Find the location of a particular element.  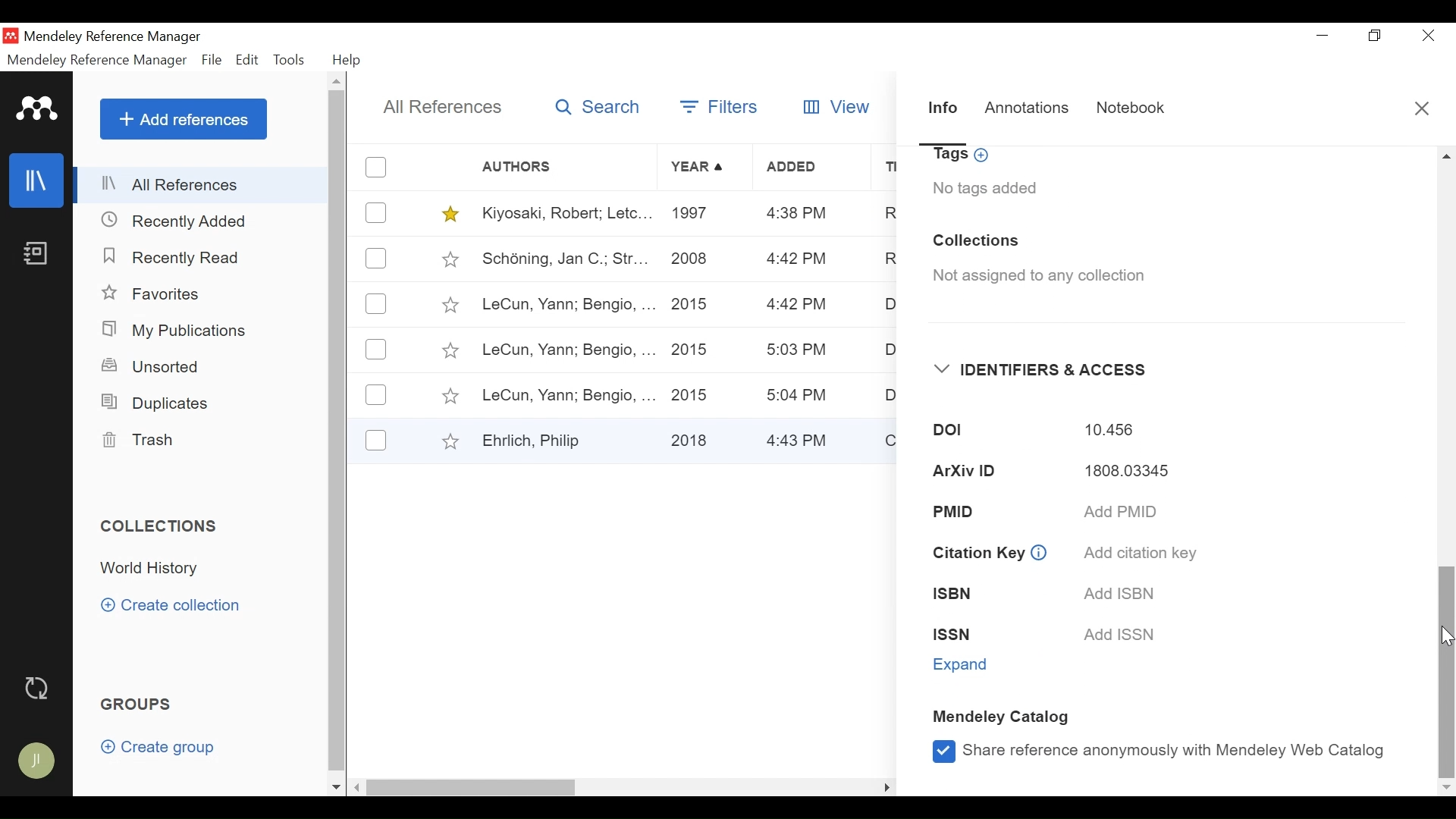

vertical scroll bar is located at coordinates (336, 431).